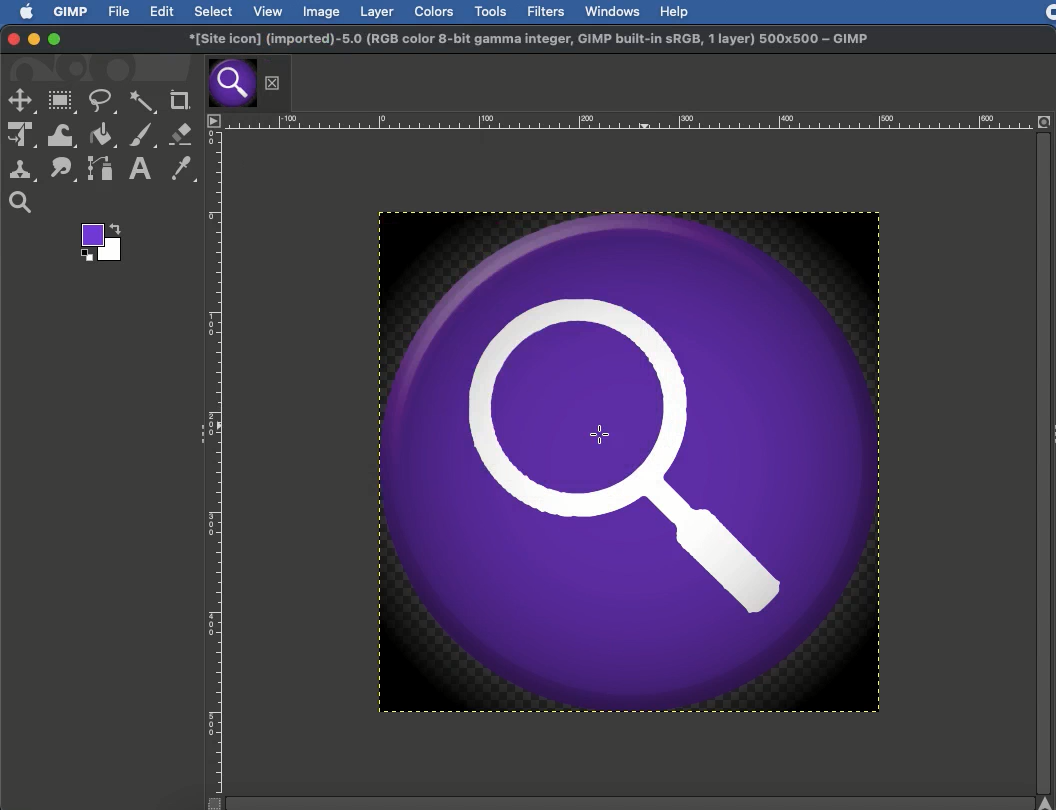  I want to click on Scroll, so click(1047, 472).